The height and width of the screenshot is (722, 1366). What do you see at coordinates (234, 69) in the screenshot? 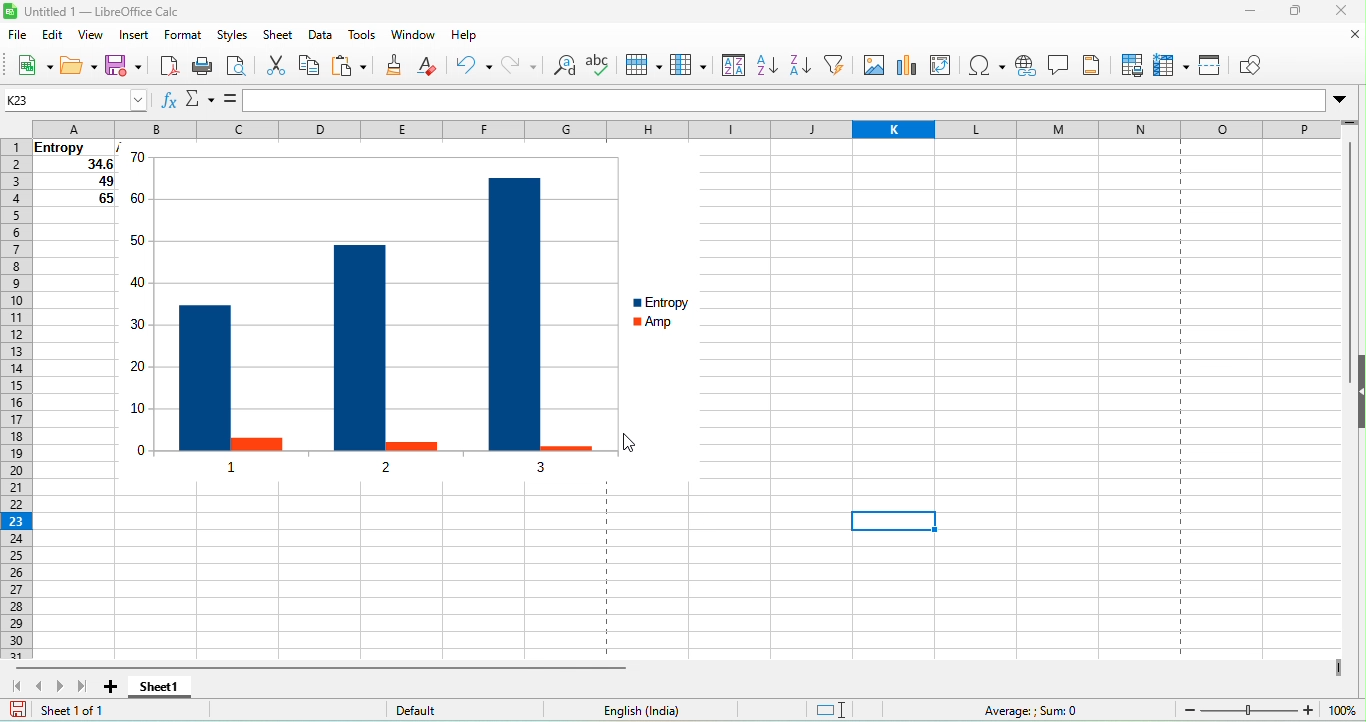
I see `print preview` at bounding box center [234, 69].